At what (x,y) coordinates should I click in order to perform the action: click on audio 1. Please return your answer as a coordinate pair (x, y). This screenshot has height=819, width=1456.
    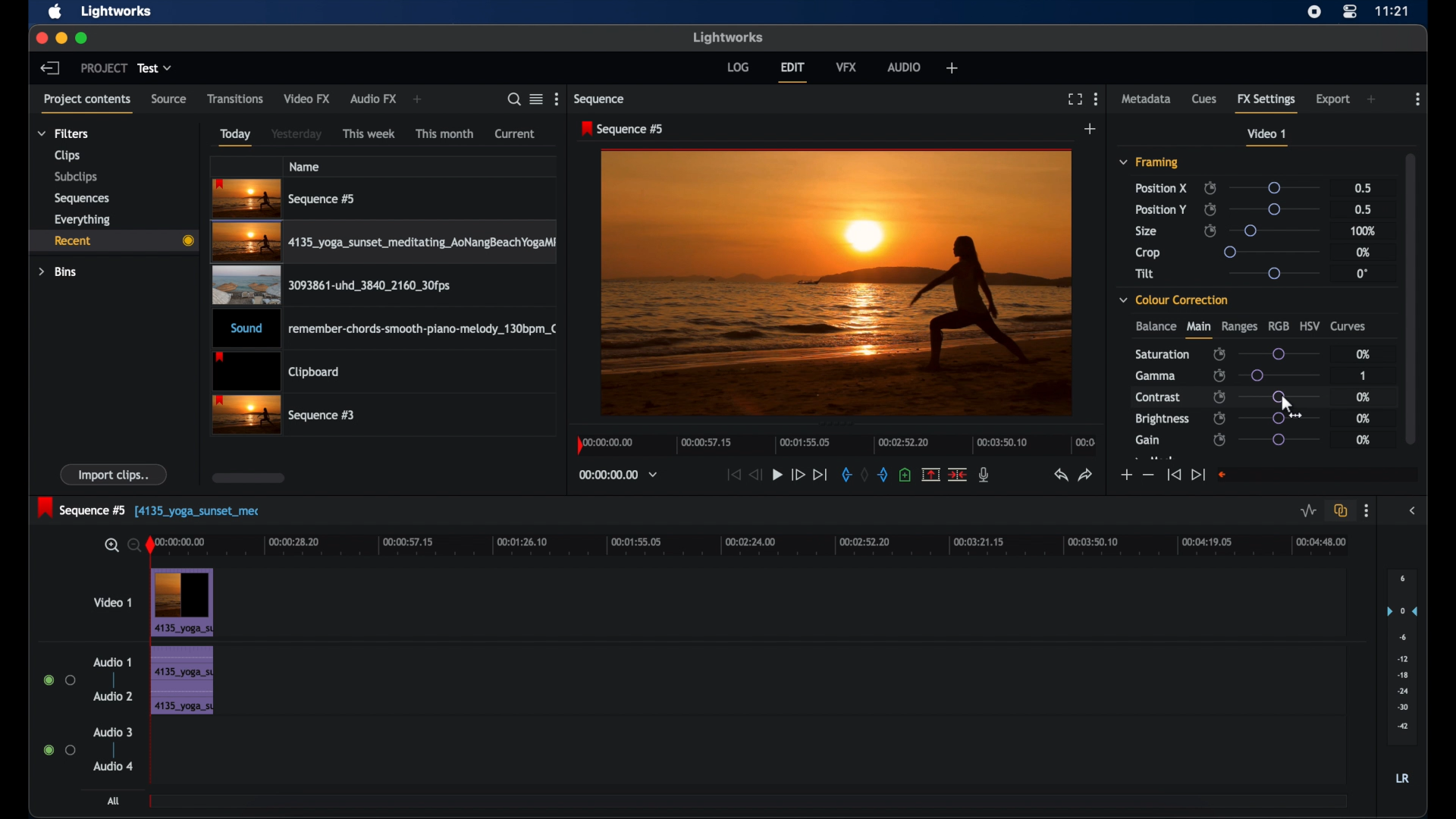
    Looking at the image, I should click on (111, 662).